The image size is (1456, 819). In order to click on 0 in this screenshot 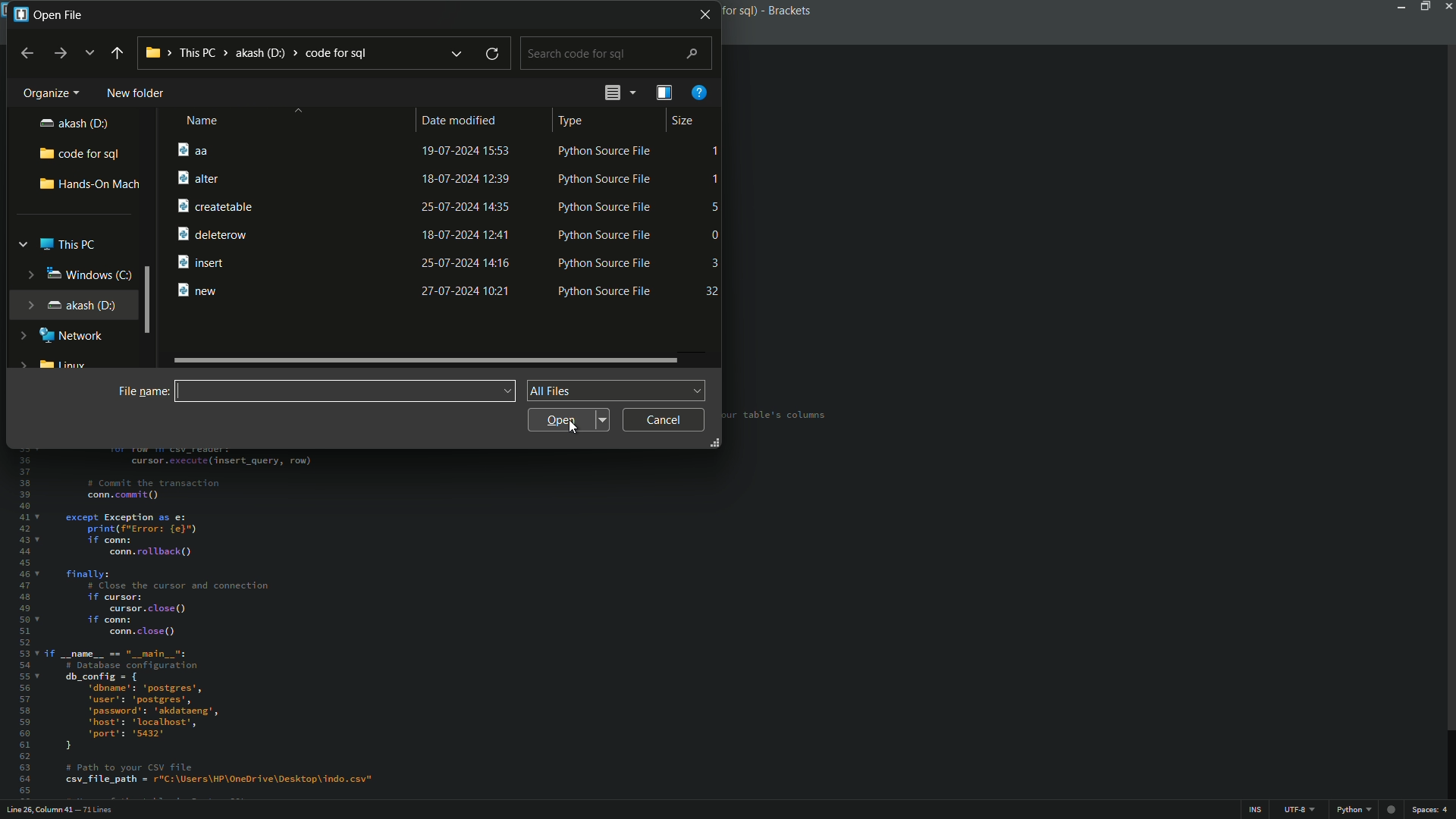, I will do `click(716, 235)`.